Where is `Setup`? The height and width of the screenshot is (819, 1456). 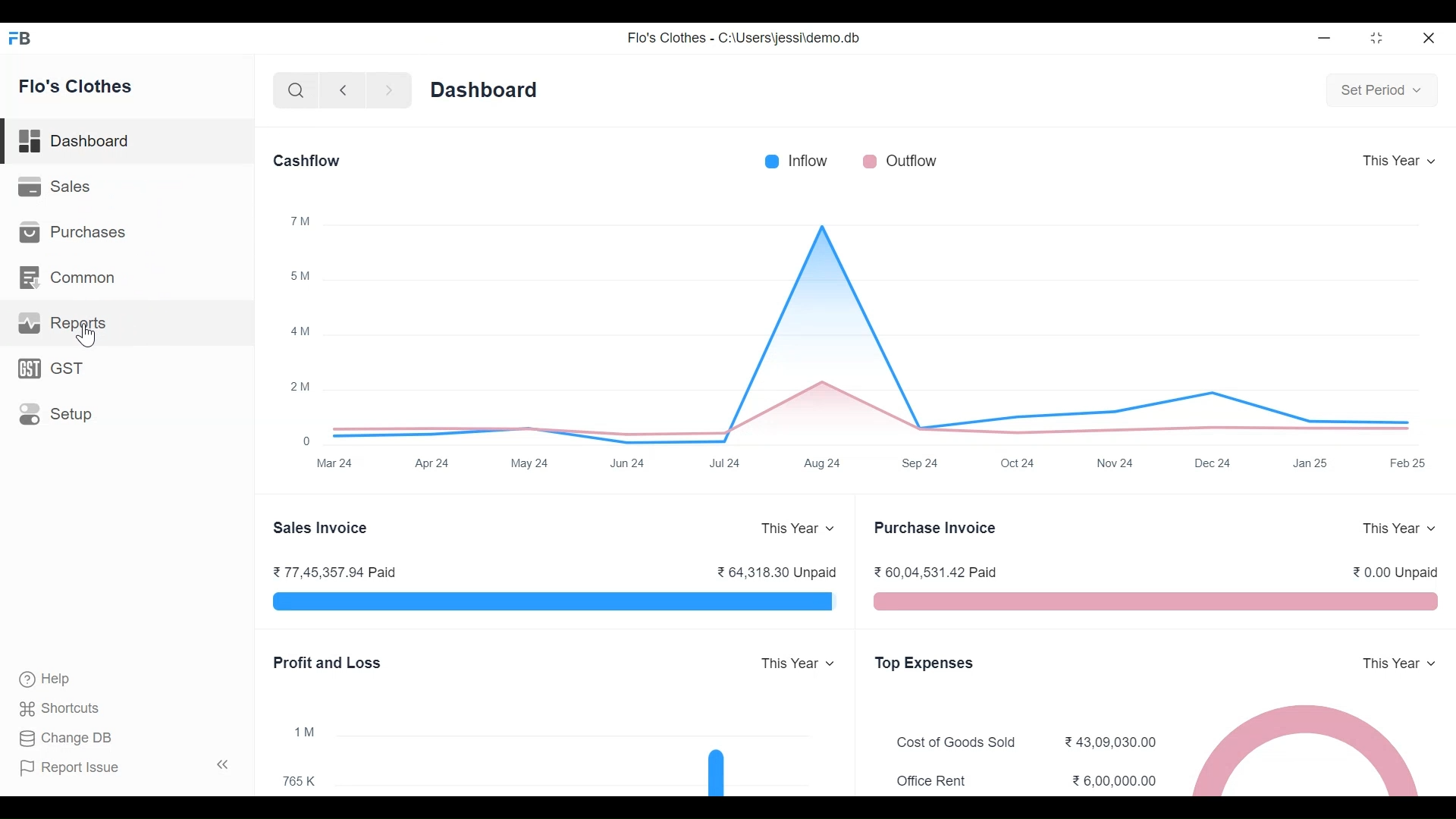 Setup is located at coordinates (56, 413).